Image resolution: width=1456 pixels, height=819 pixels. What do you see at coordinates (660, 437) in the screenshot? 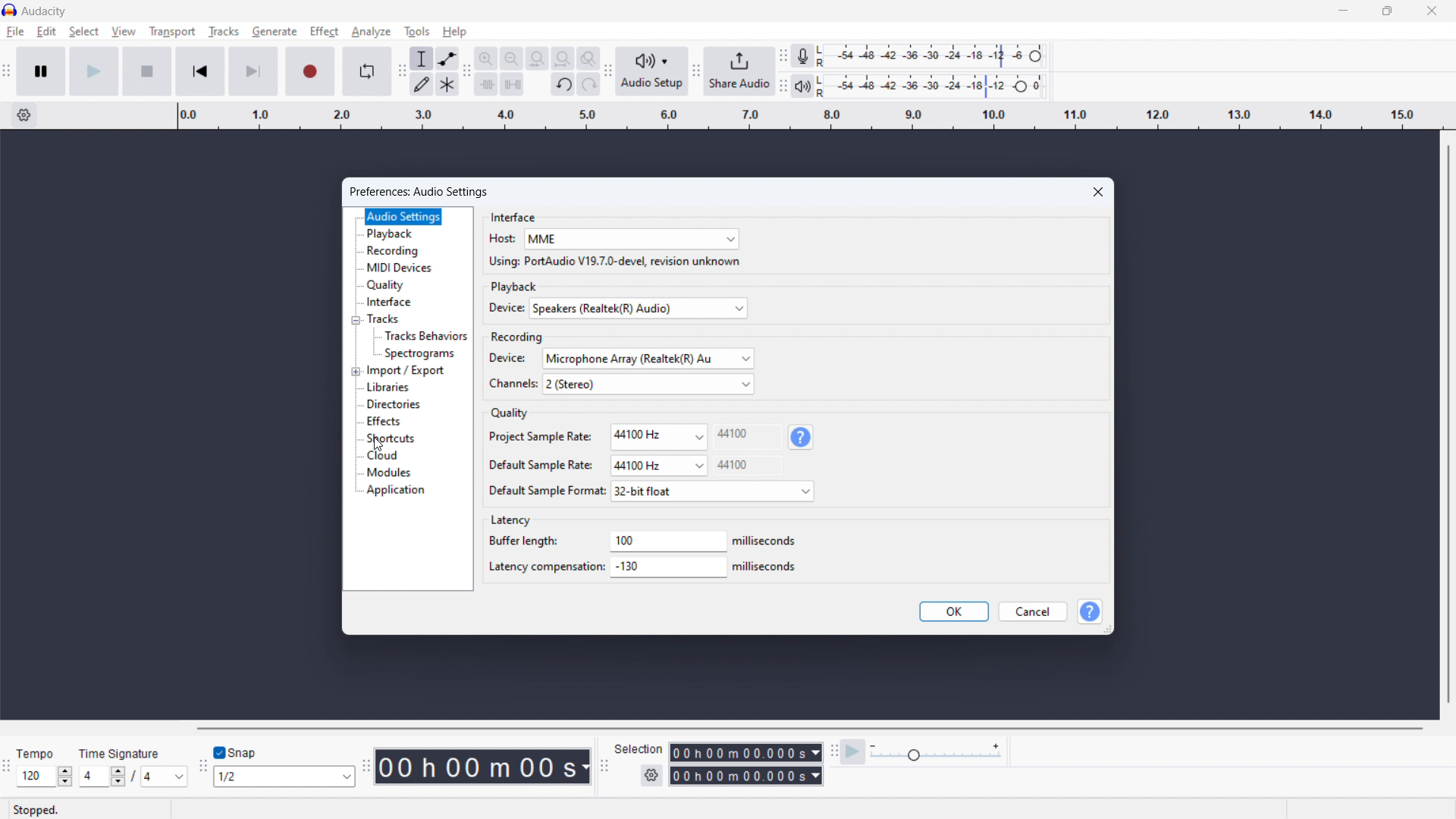
I see `project sample rate` at bounding box center [660, 437].